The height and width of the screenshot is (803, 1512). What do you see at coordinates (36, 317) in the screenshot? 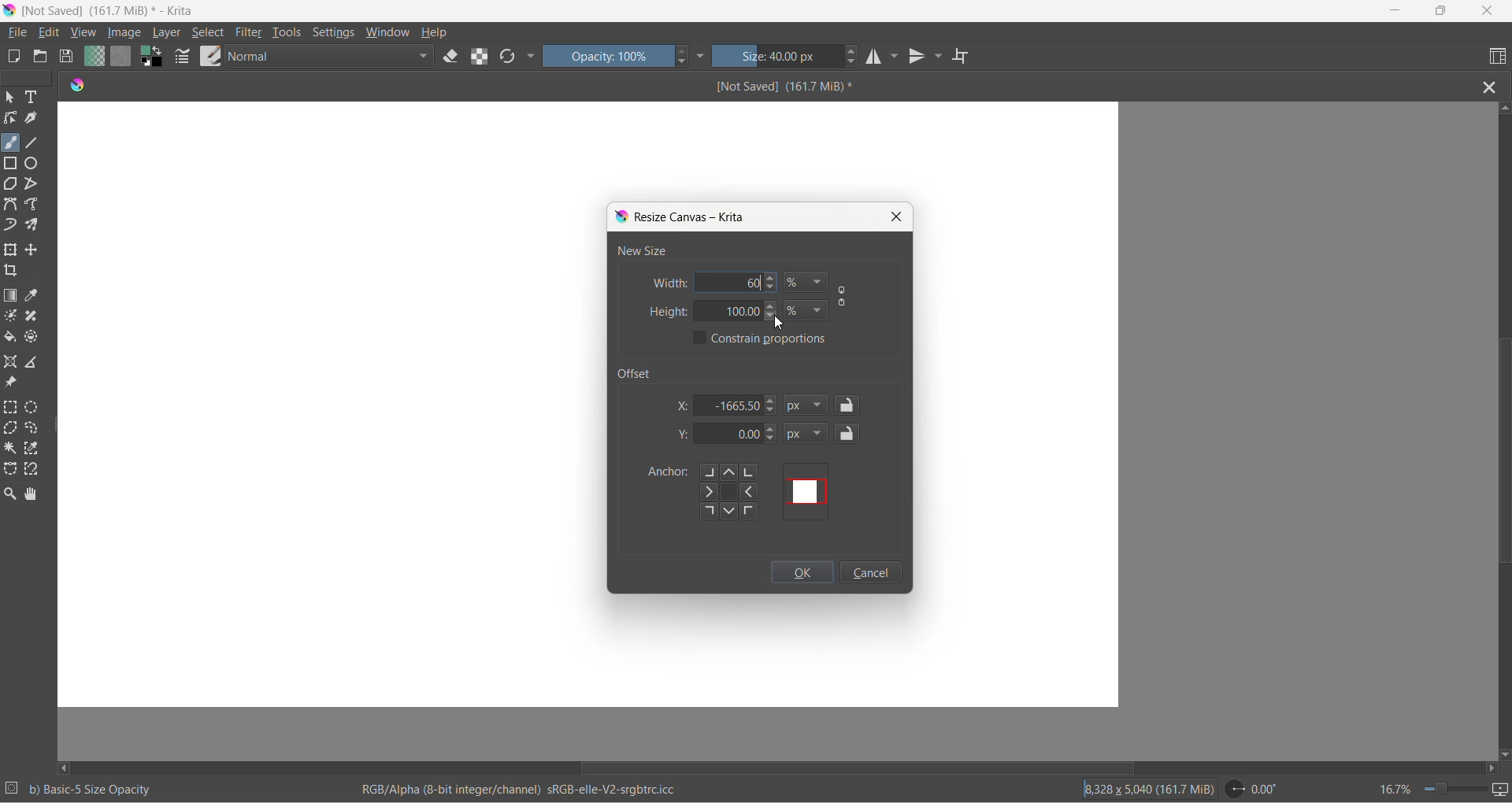
I see `smart patch tool` at bounding box center [36, 317].